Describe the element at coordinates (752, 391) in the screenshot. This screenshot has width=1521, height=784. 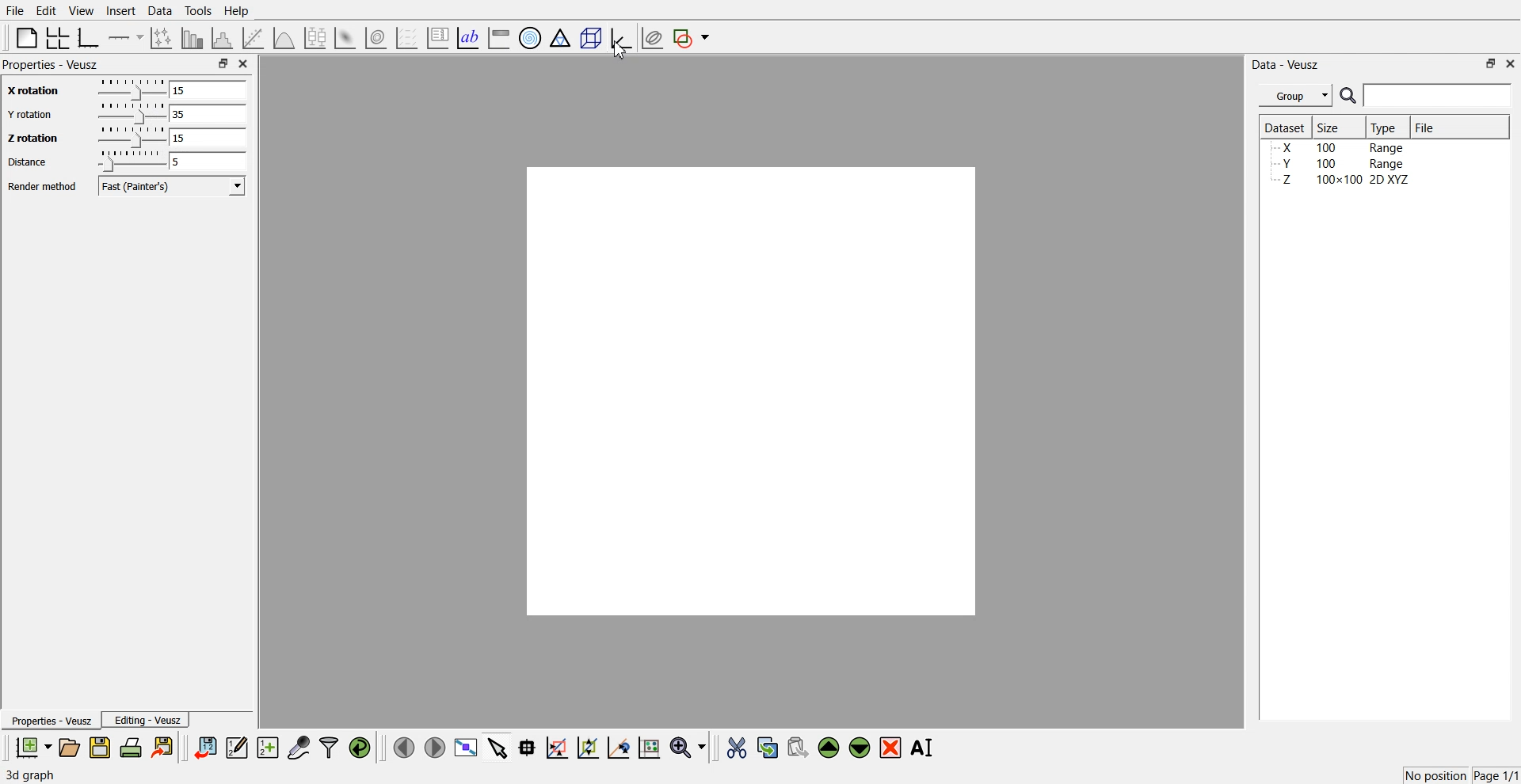
I see `Preview window` at that location.